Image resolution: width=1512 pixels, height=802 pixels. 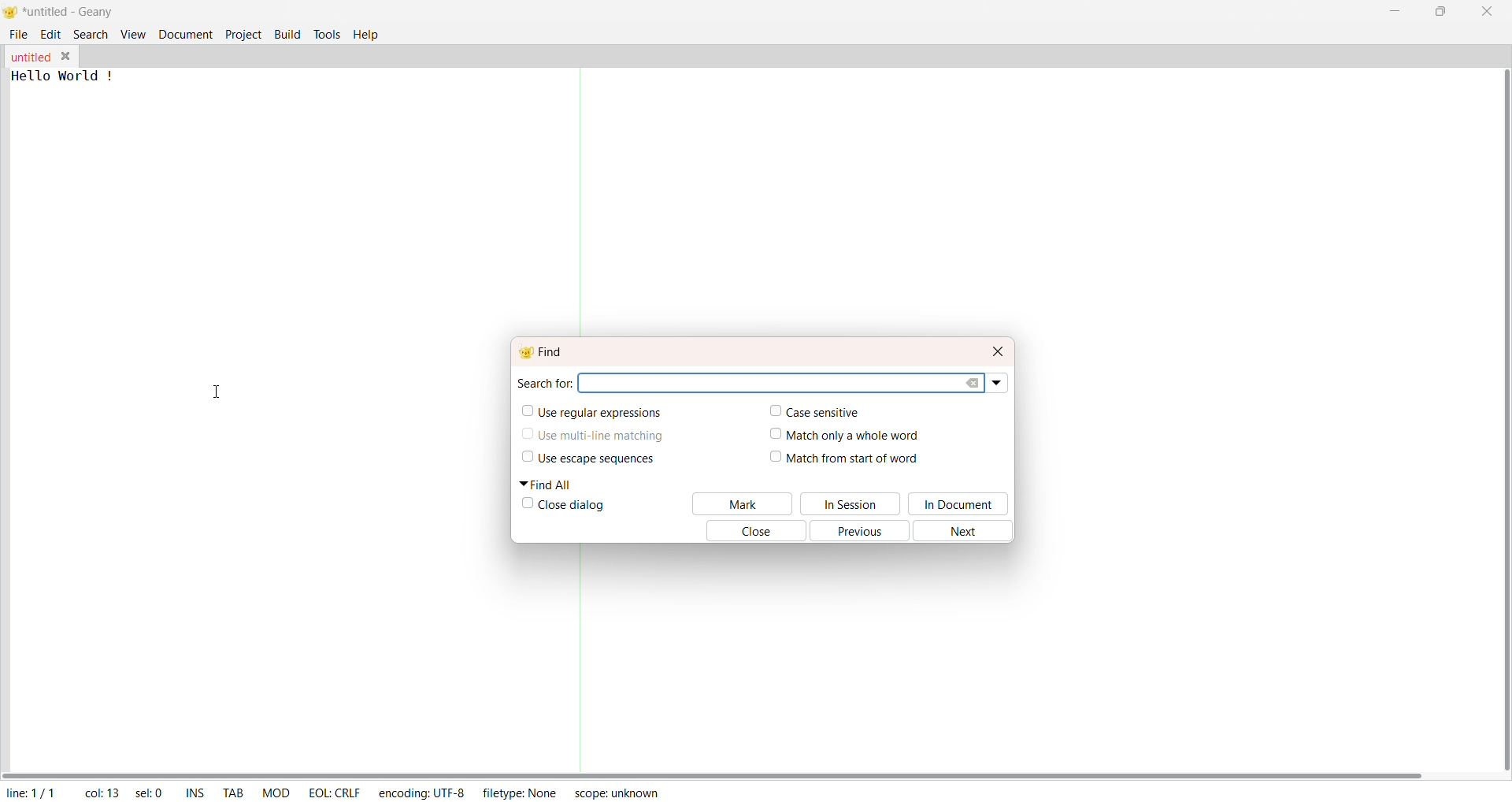 What do you see at coordinates (610, 460) in the screenshot?
I see `Use Scape Sequences` at bounding box center [610, 460].